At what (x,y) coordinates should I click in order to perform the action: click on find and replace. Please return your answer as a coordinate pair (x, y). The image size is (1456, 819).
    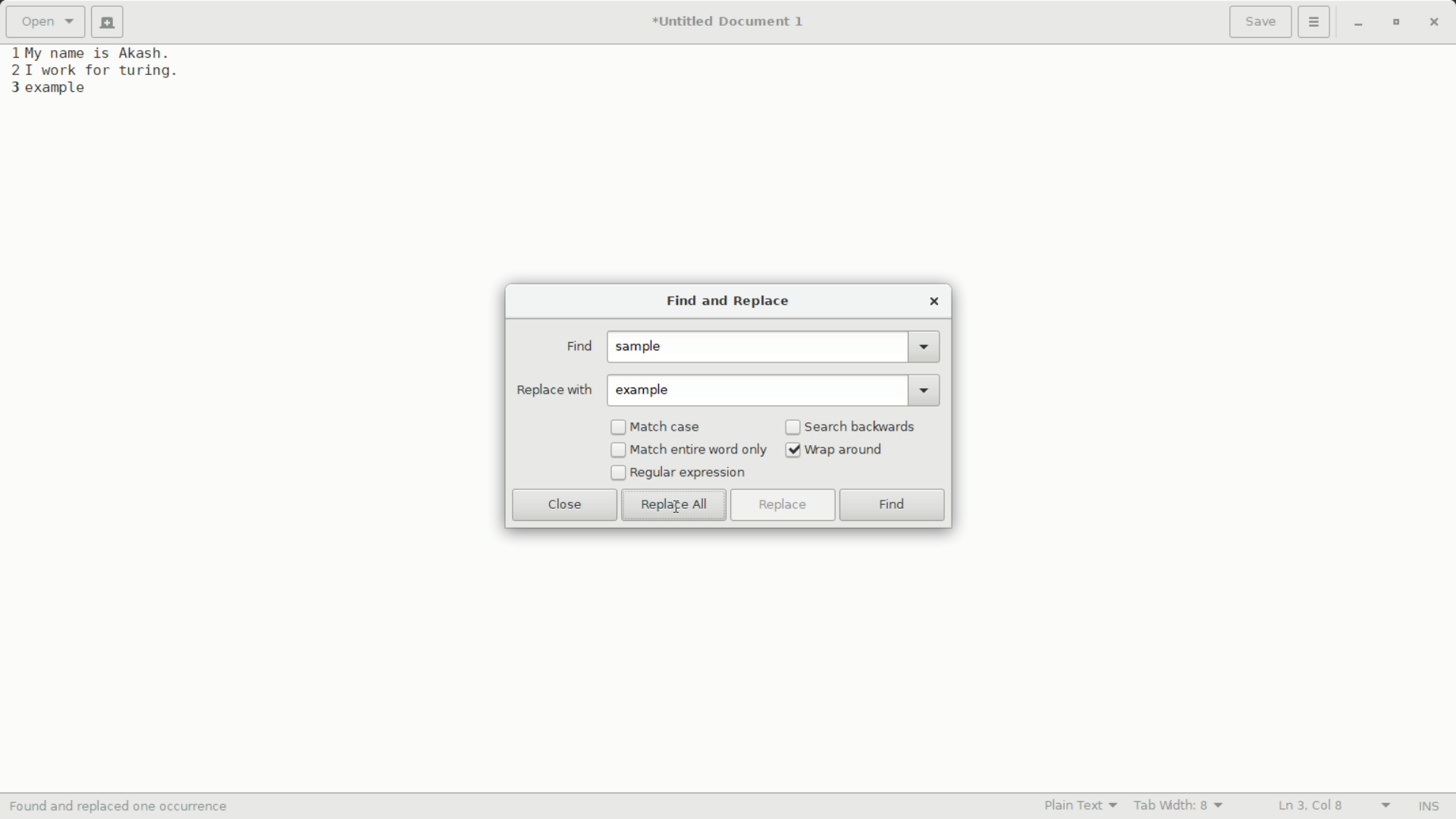
    Looking at the image, I should click on (725, 303).